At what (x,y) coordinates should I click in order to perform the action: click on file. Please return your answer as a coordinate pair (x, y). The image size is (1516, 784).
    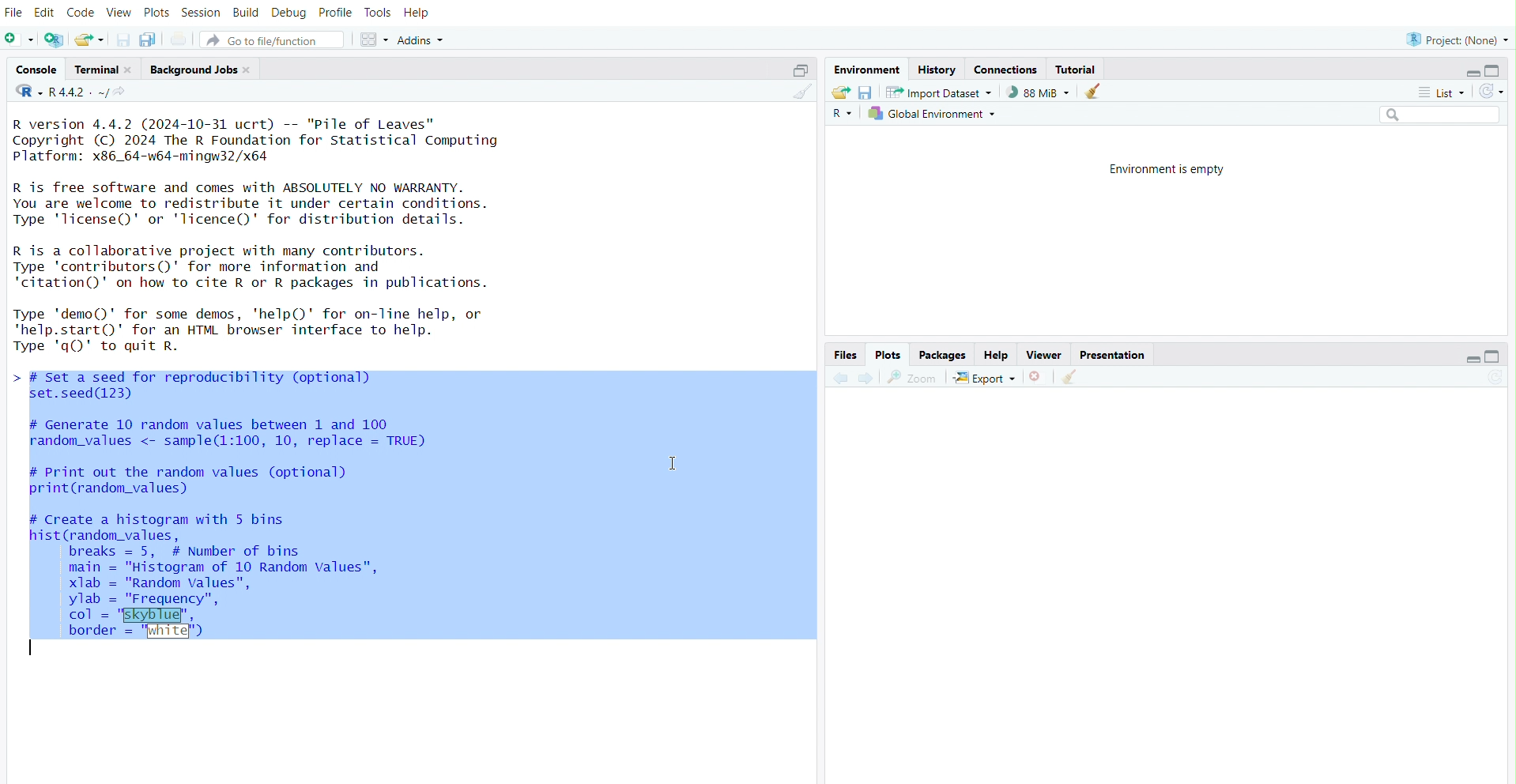
    Looking at the image, I should click on (13, 10).